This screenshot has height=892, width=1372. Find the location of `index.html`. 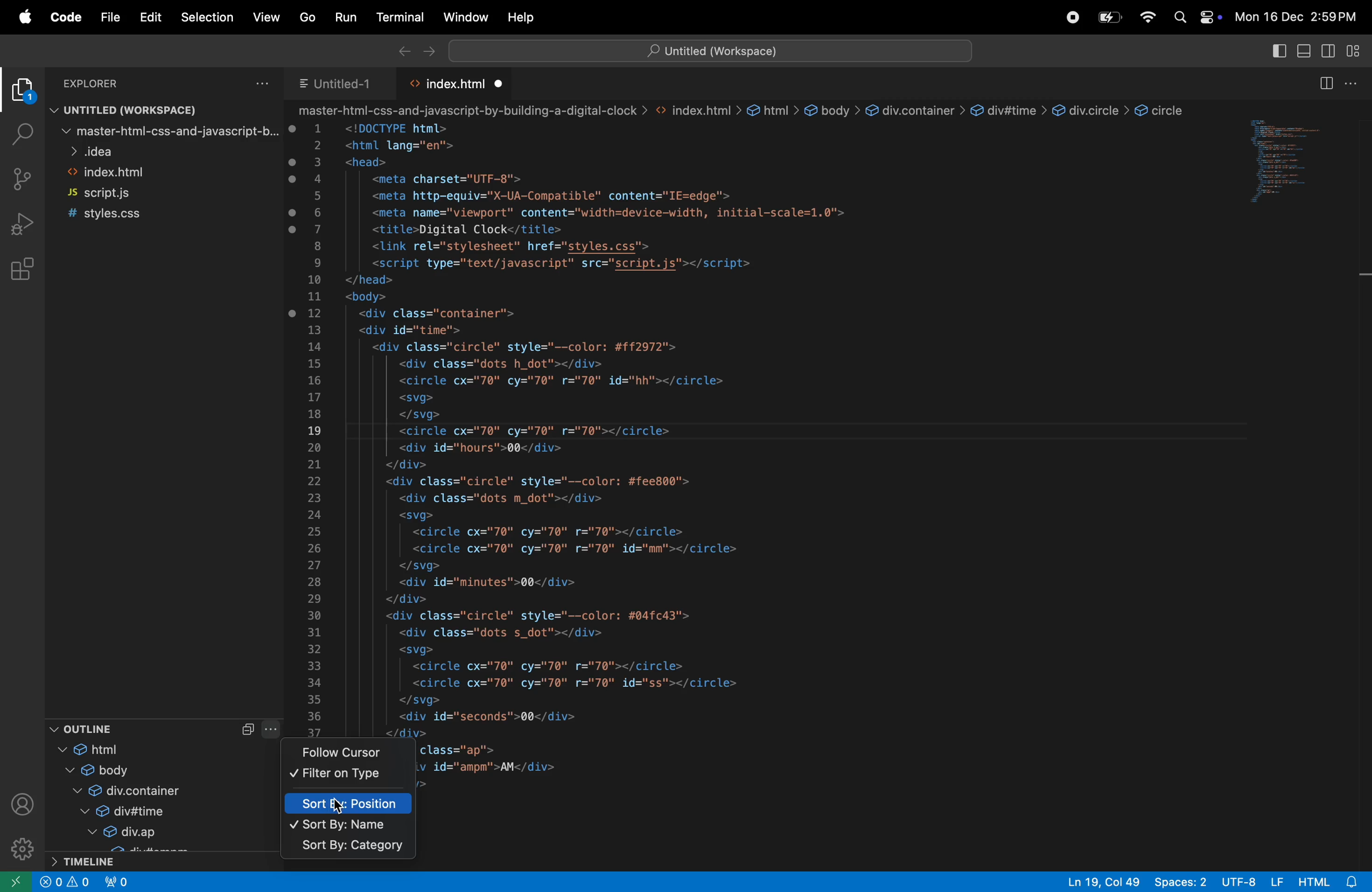

index.html is located at coordinates (148, 171).